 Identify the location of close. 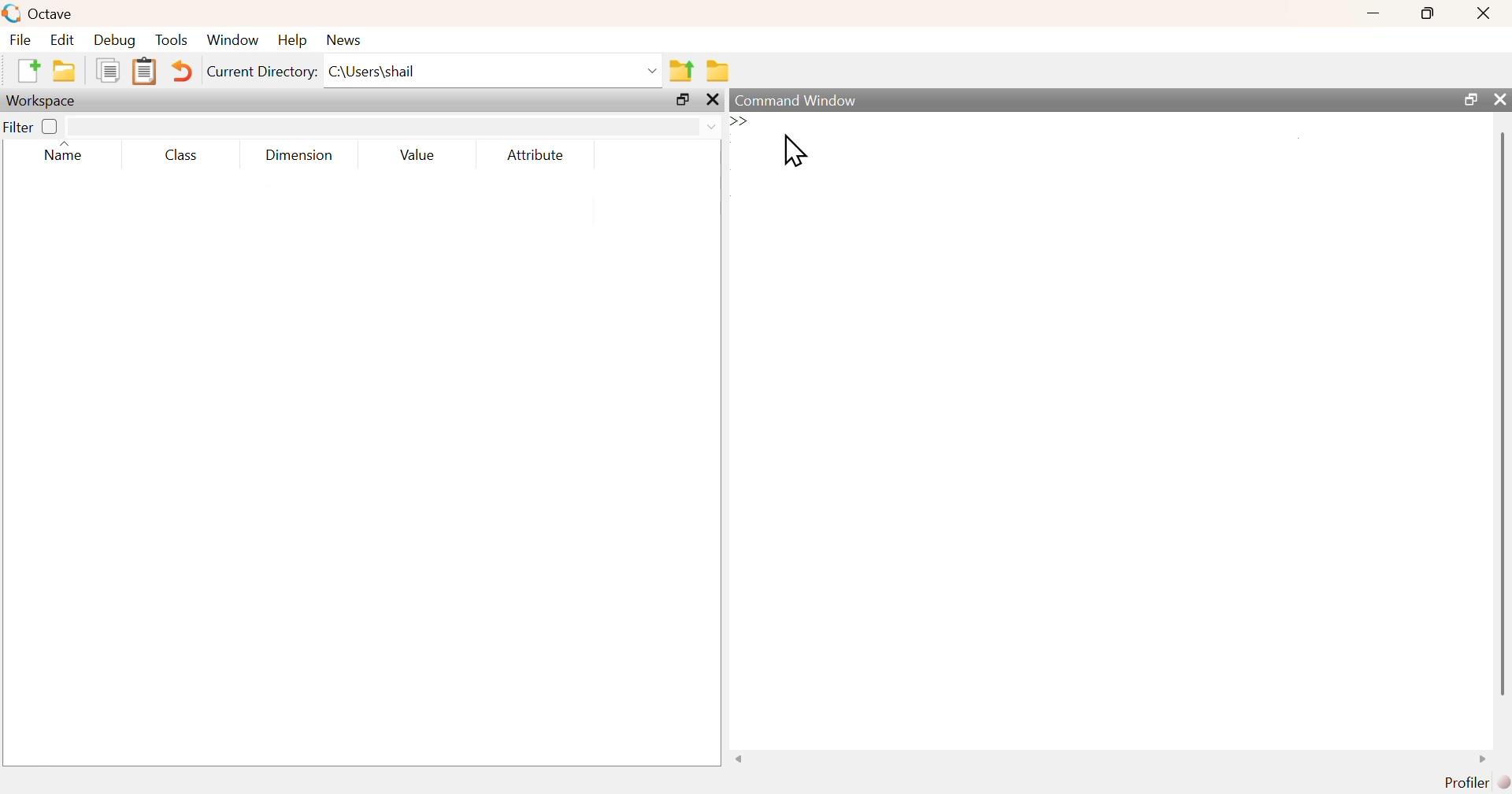
(1500, 100).